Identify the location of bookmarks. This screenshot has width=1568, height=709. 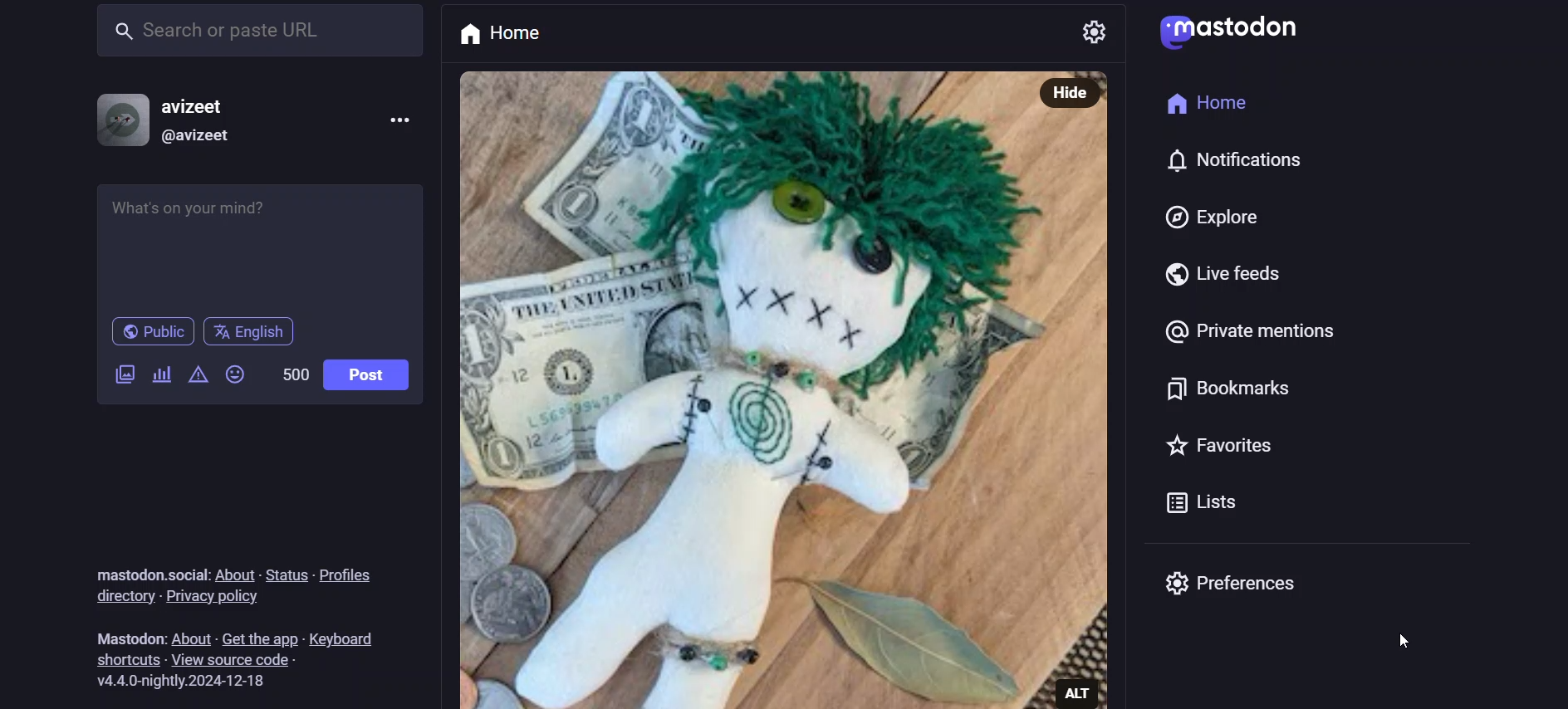
(1232, 388).